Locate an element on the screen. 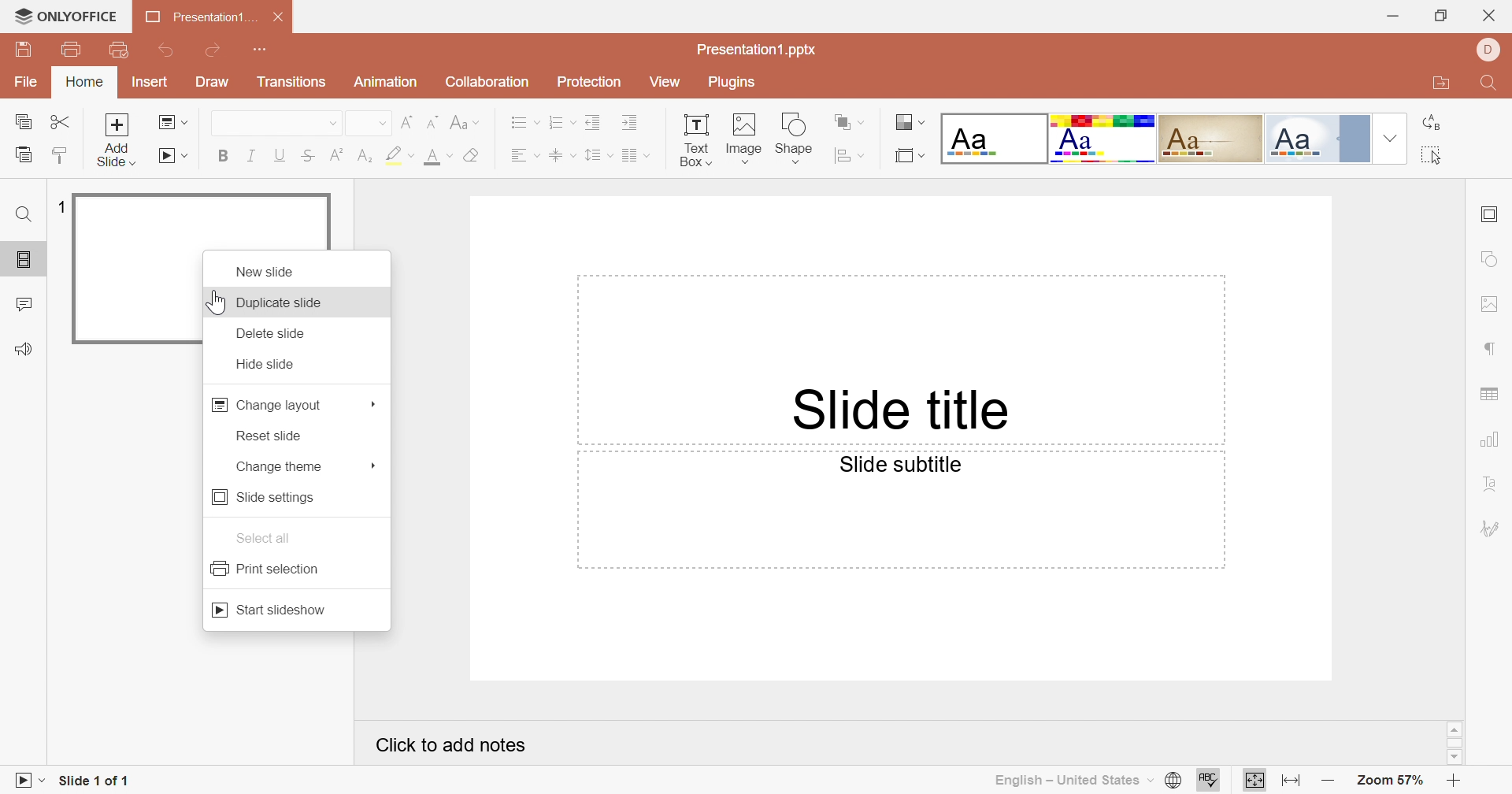 The height and width of the screenshot is (794, 1512). Copy is located at coordinates (22, 121).